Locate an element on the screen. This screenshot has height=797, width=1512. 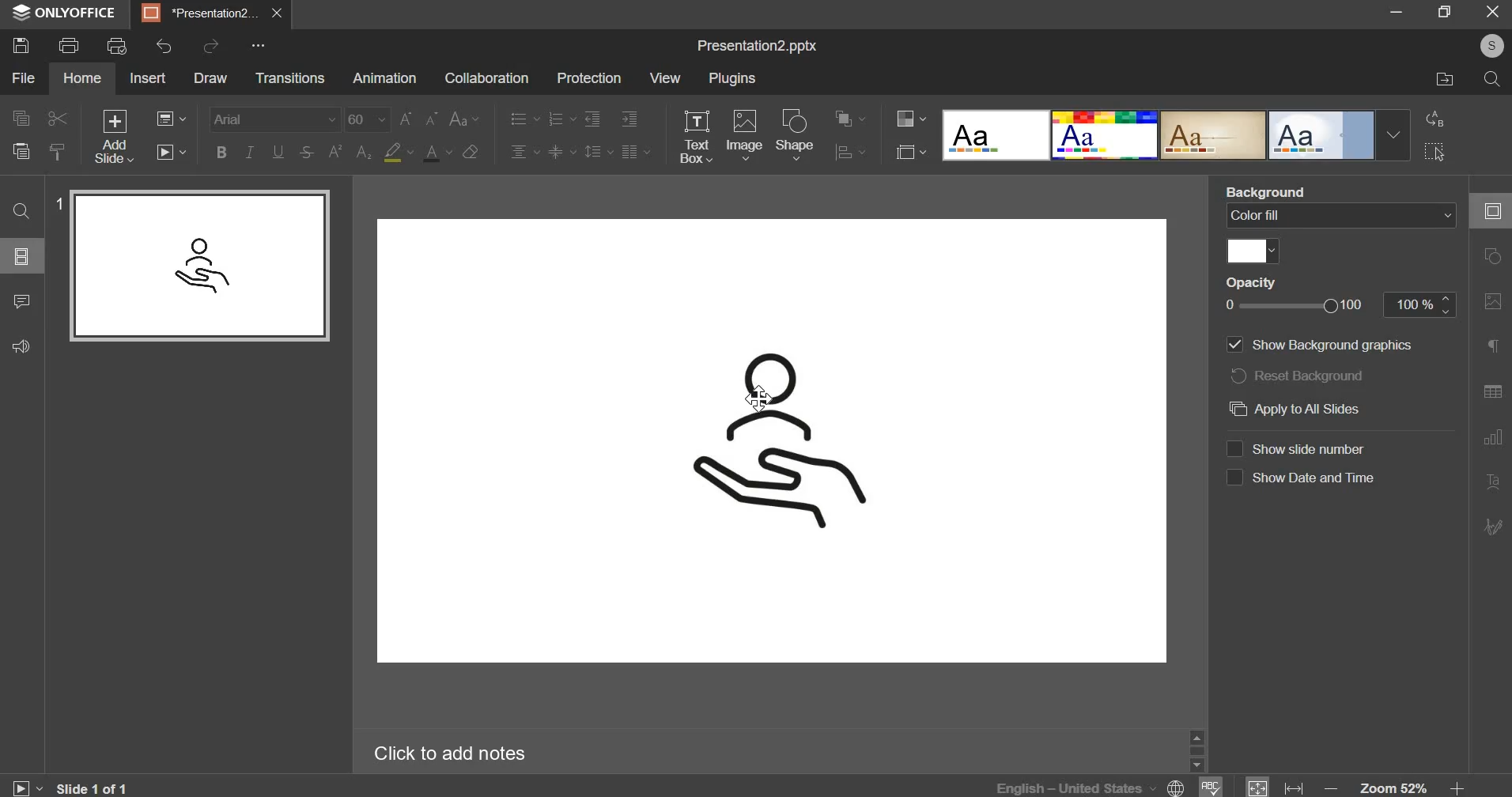
image settings is located at coordinates (1491, 304).